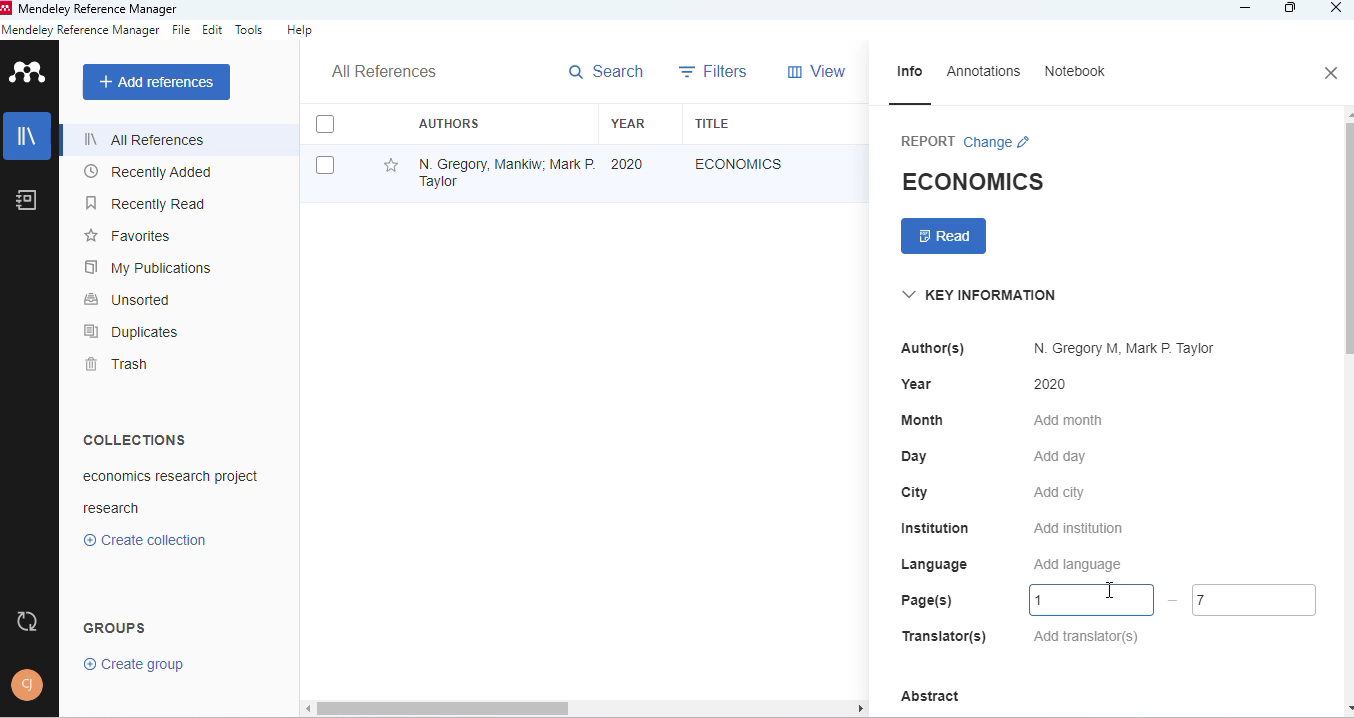 This screenshot has width=1354, height=718. Describe the element at coordinates (146, 139) in the screenshot. I see `all references` at that location.